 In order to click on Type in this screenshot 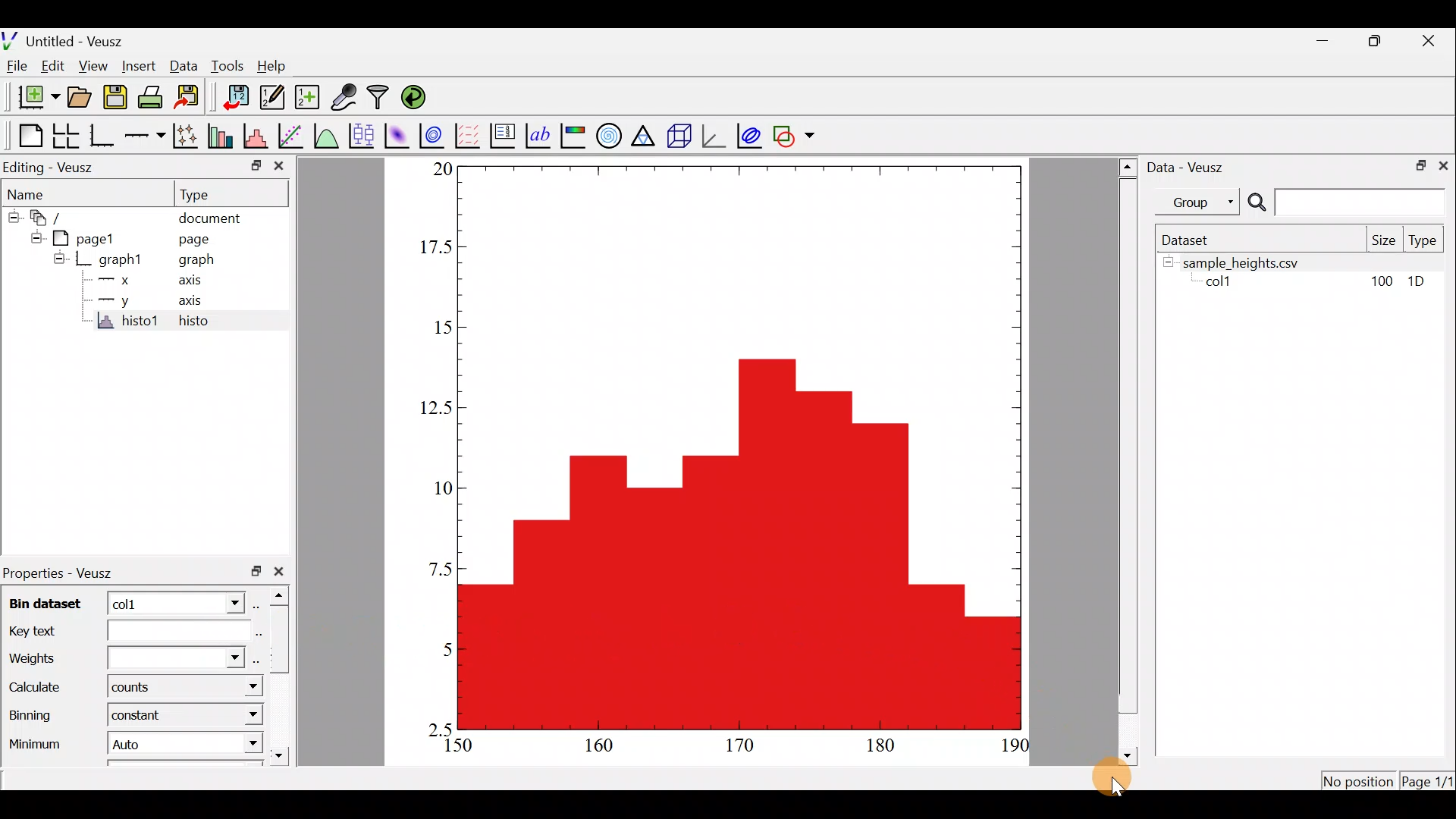, I will do `click(1426, 240)`.